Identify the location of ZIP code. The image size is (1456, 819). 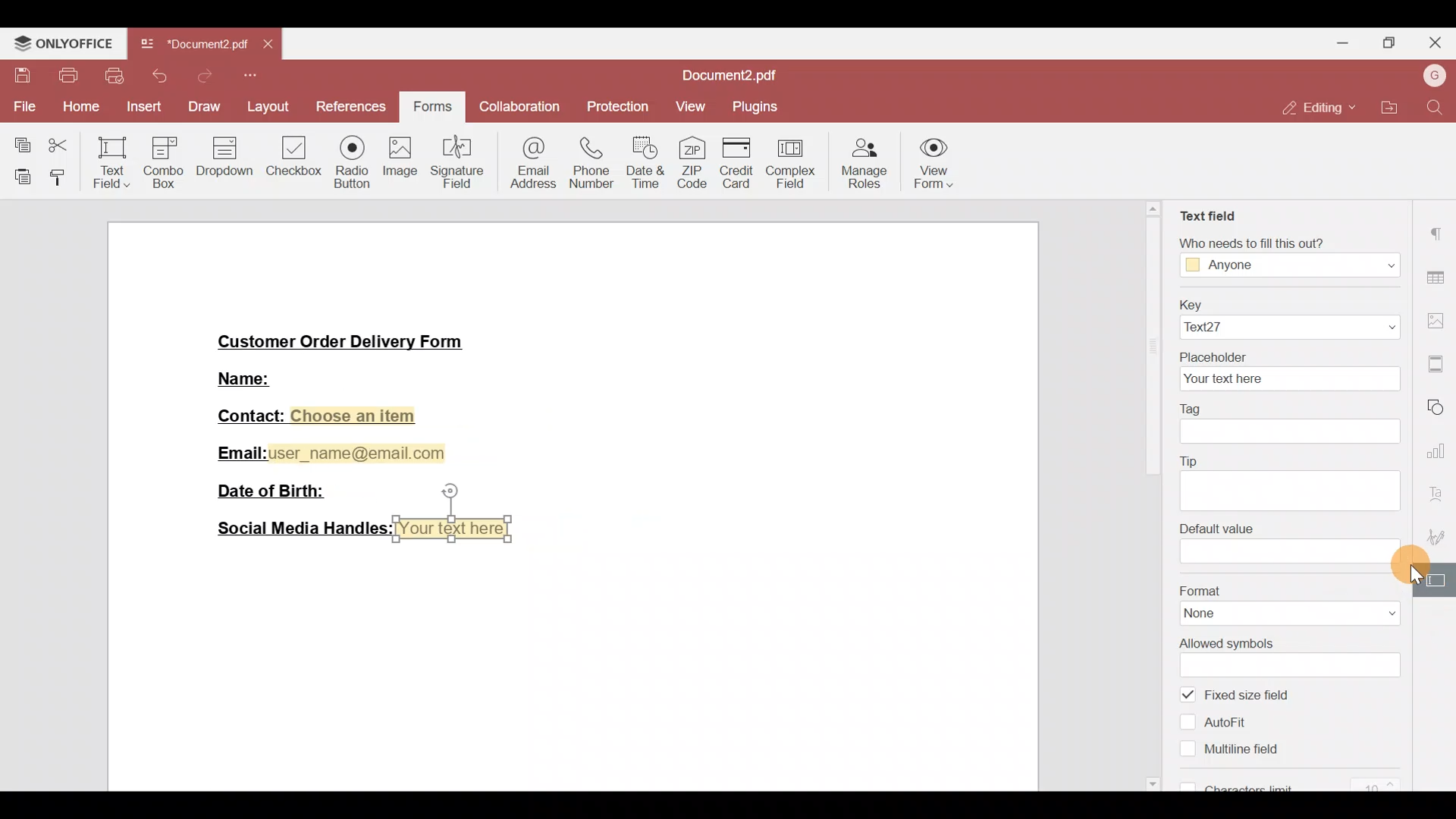
(692, 159).